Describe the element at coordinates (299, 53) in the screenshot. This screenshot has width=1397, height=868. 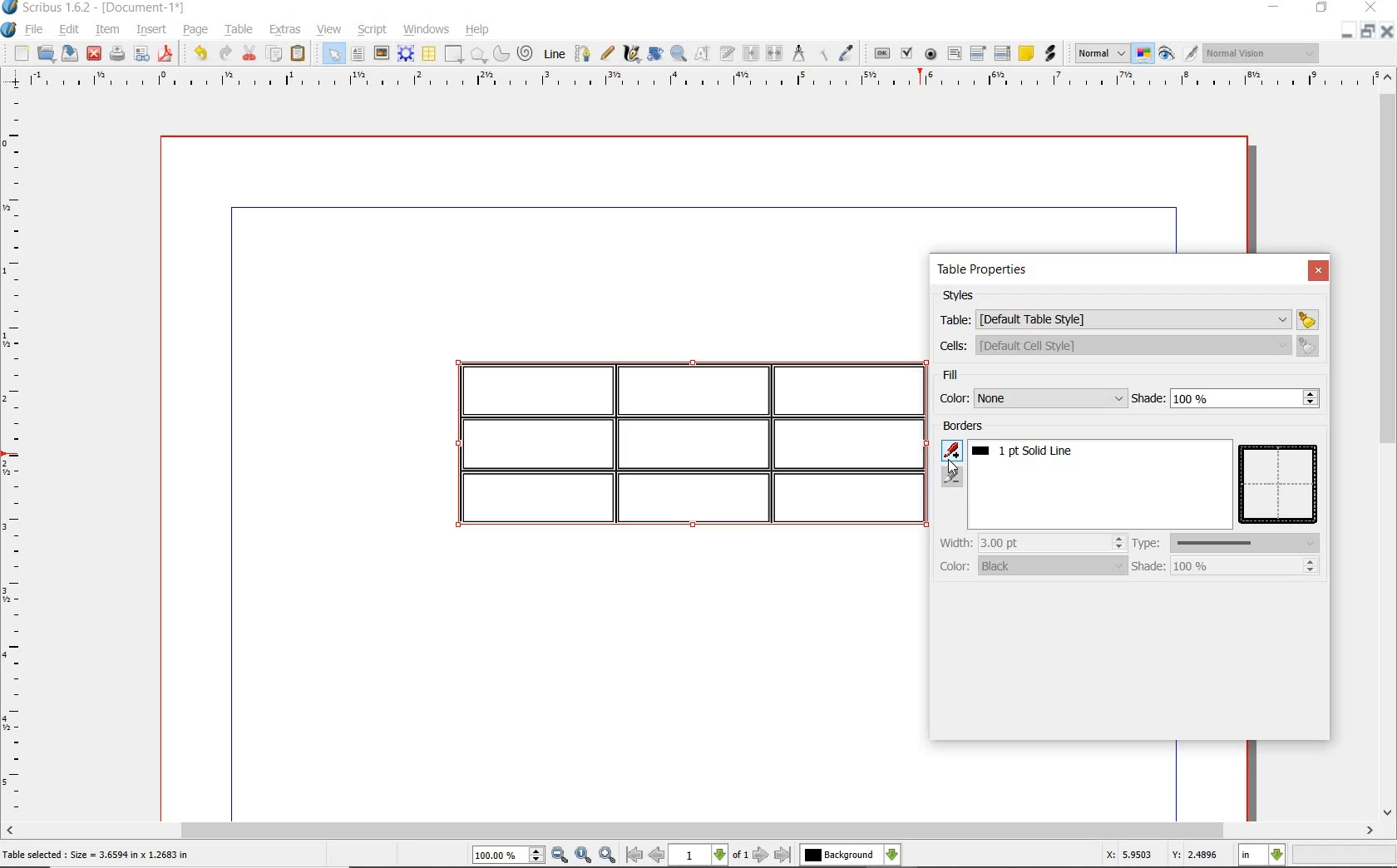
I see `paste` at that location.